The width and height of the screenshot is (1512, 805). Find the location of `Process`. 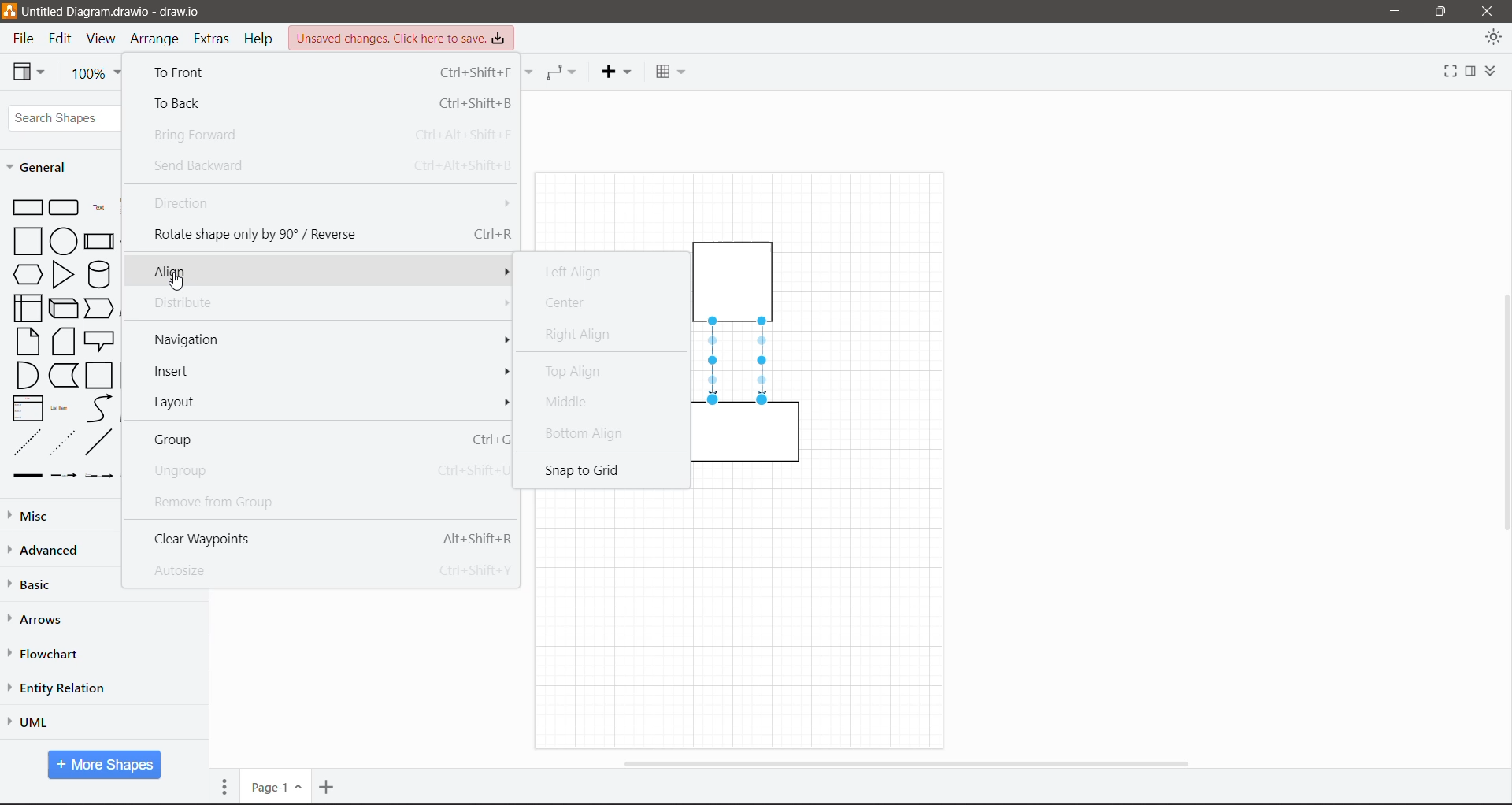

Process is located at coordinates (98, 239).